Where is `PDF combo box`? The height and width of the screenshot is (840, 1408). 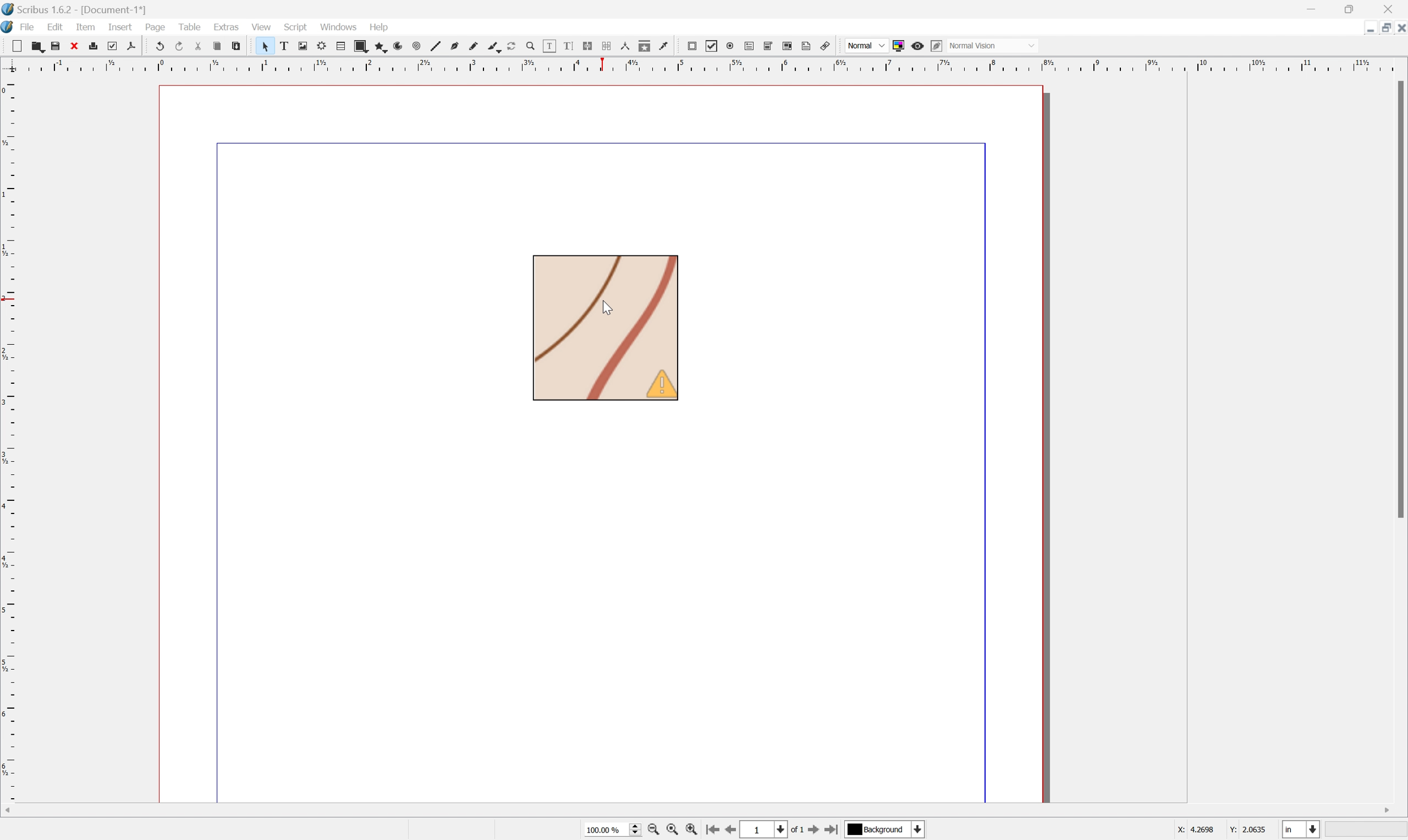
PDF combo box is located at coordinates (772, 46).